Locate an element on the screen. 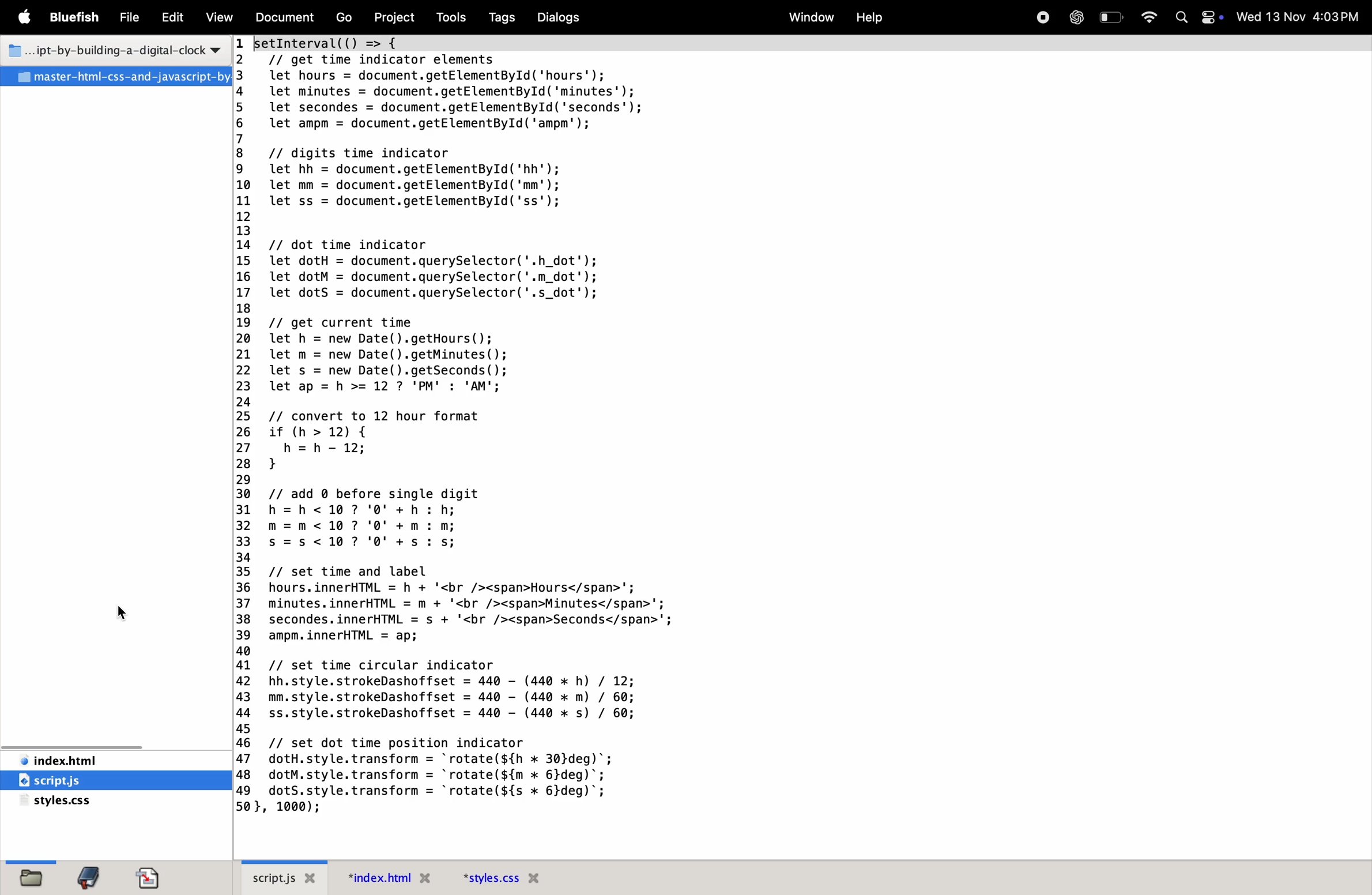 The height and width of the screenshot is (895, 1372). cursor is located at coordinates (127, 610).